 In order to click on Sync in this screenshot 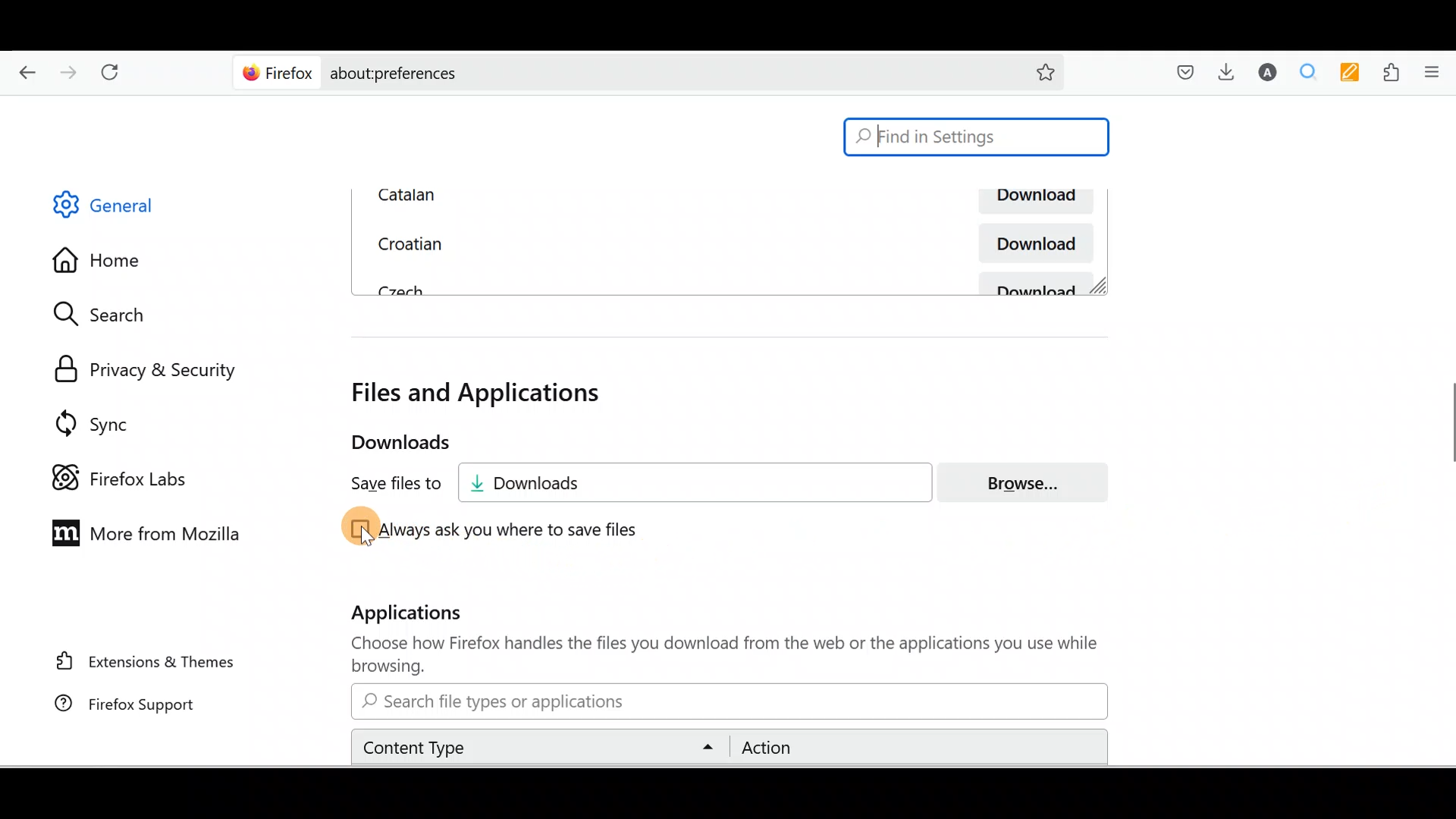, I will do `click(86, 418)`.